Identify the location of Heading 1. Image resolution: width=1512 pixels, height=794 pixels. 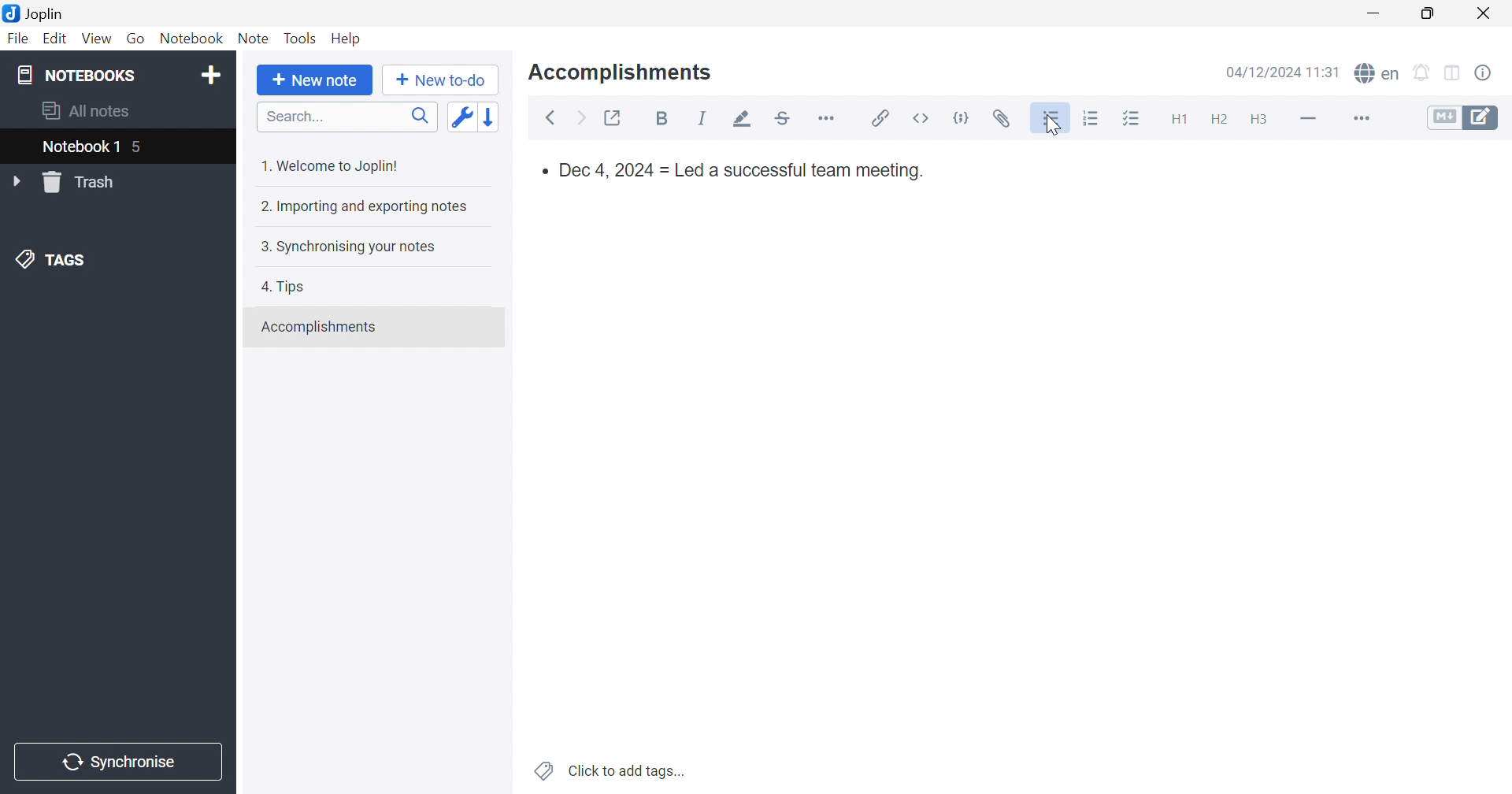
(1180, 120).